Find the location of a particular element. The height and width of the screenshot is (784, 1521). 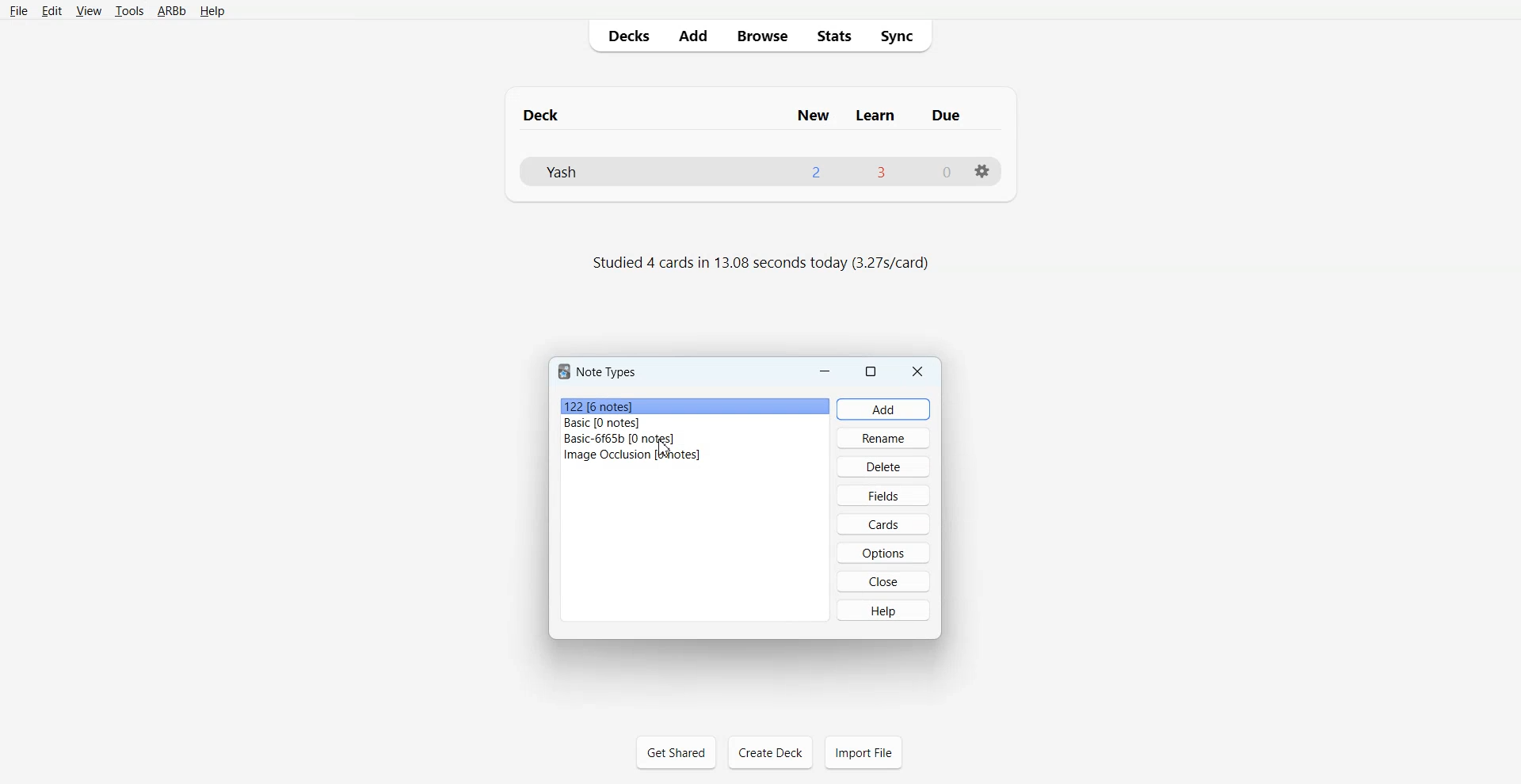

Stats is located at coordinates (831, 36).